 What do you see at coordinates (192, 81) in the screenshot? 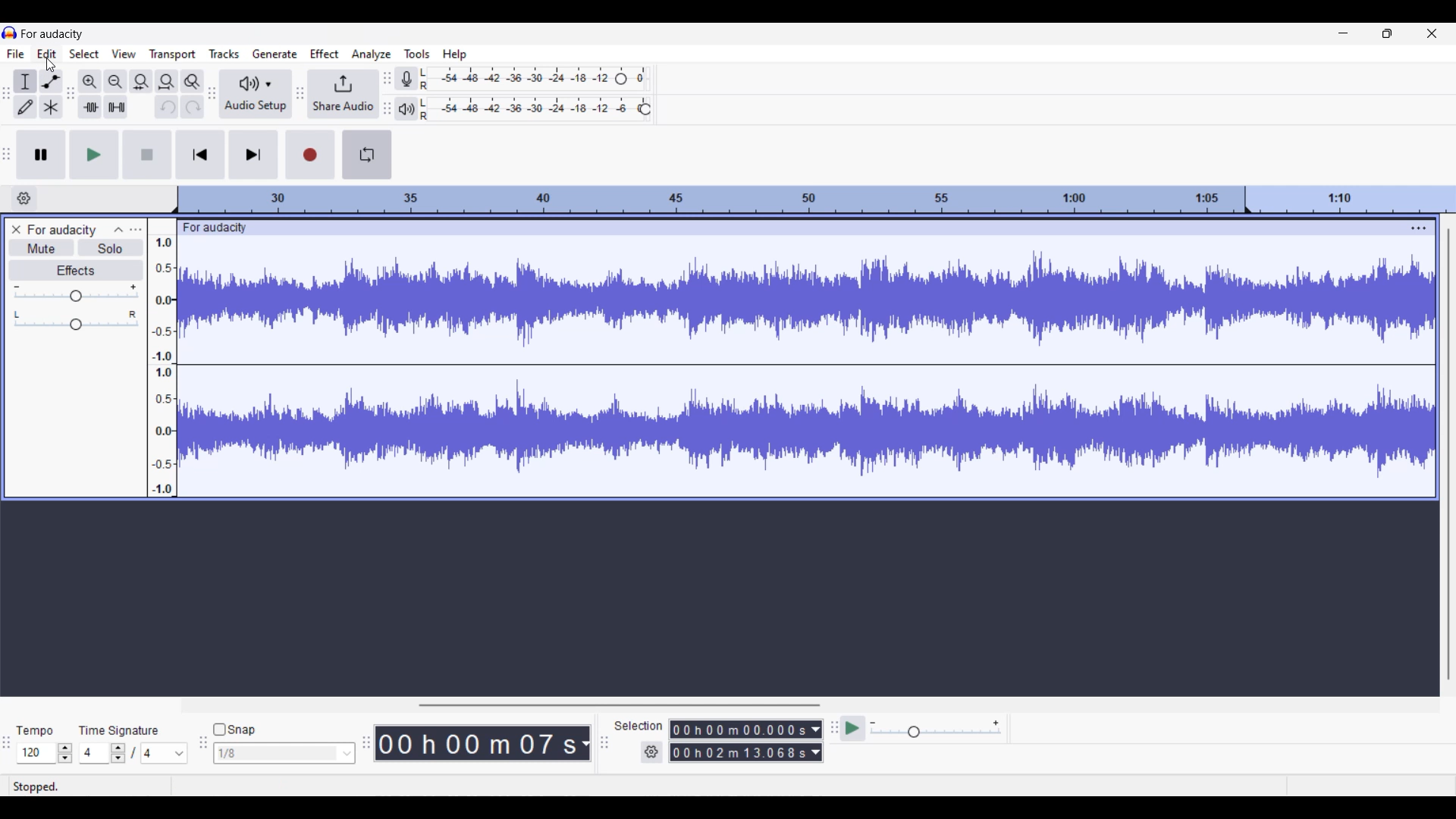
I see `Zoom toggle` at bounding box center [192, 81].